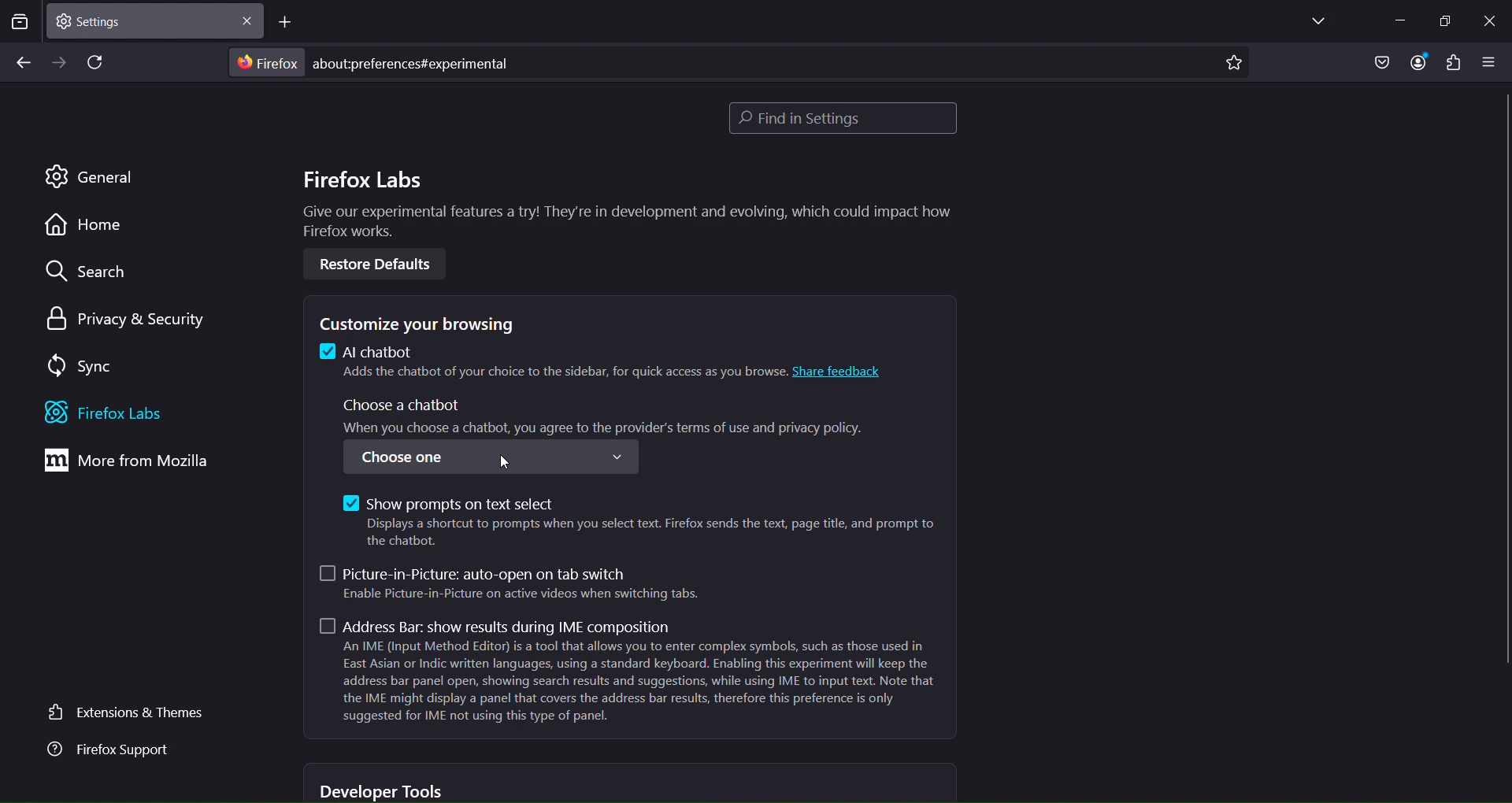  I want to click on close, so click(246, 24).